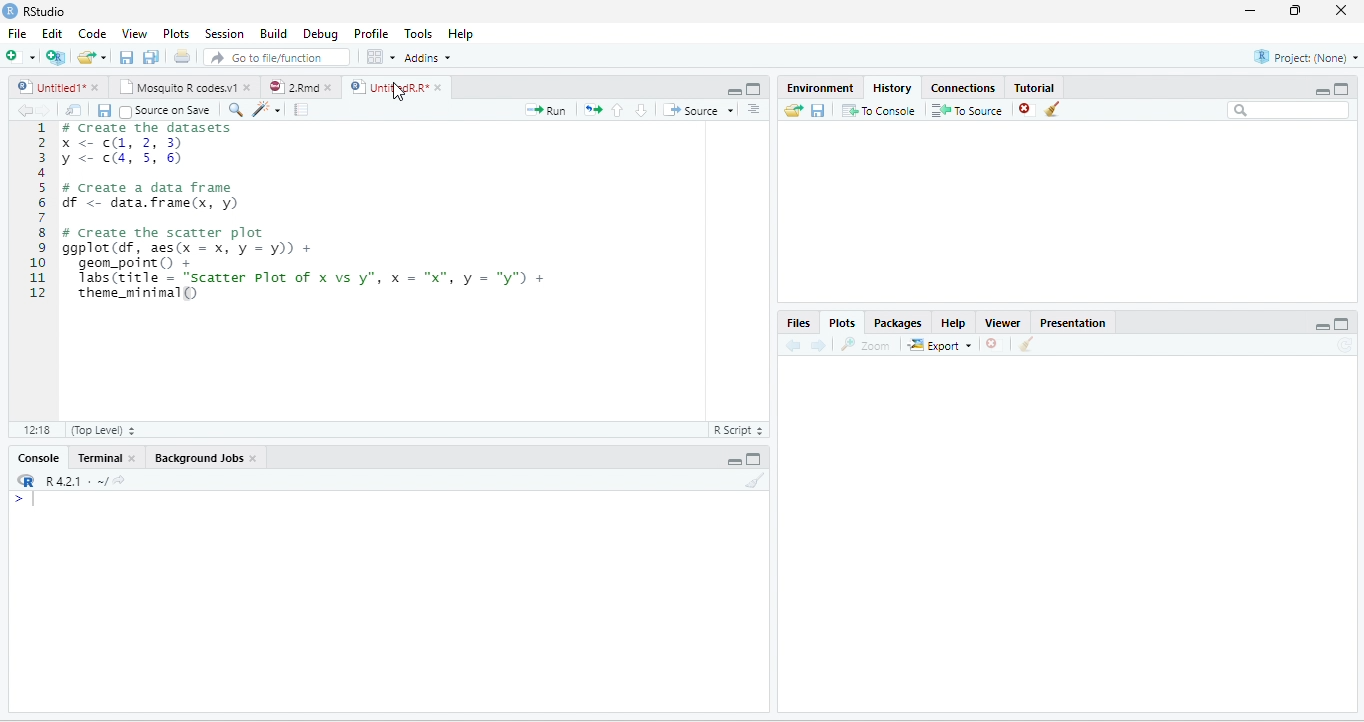 The height and width of the screenshot is (722, 1364). What do you see at coordinates (1251, 11) in the screenshot?
I see `minimize` at bounding box center [1251, 11].